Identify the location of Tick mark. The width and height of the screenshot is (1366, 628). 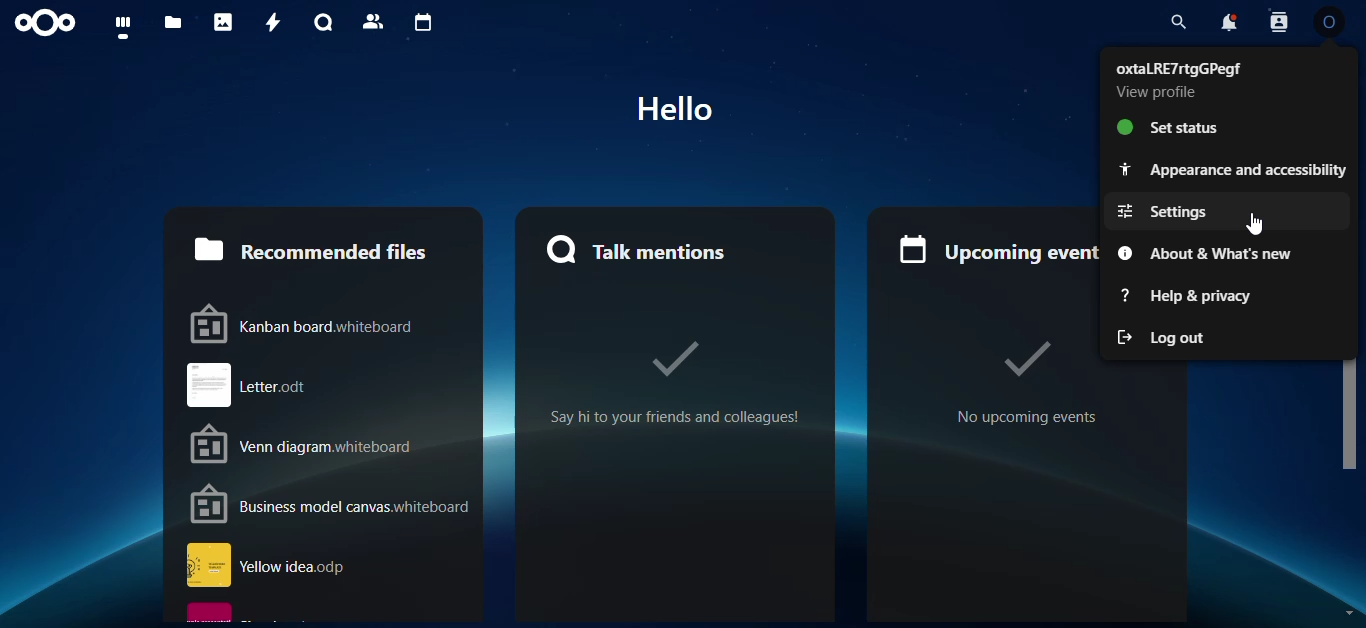
(675, 360).